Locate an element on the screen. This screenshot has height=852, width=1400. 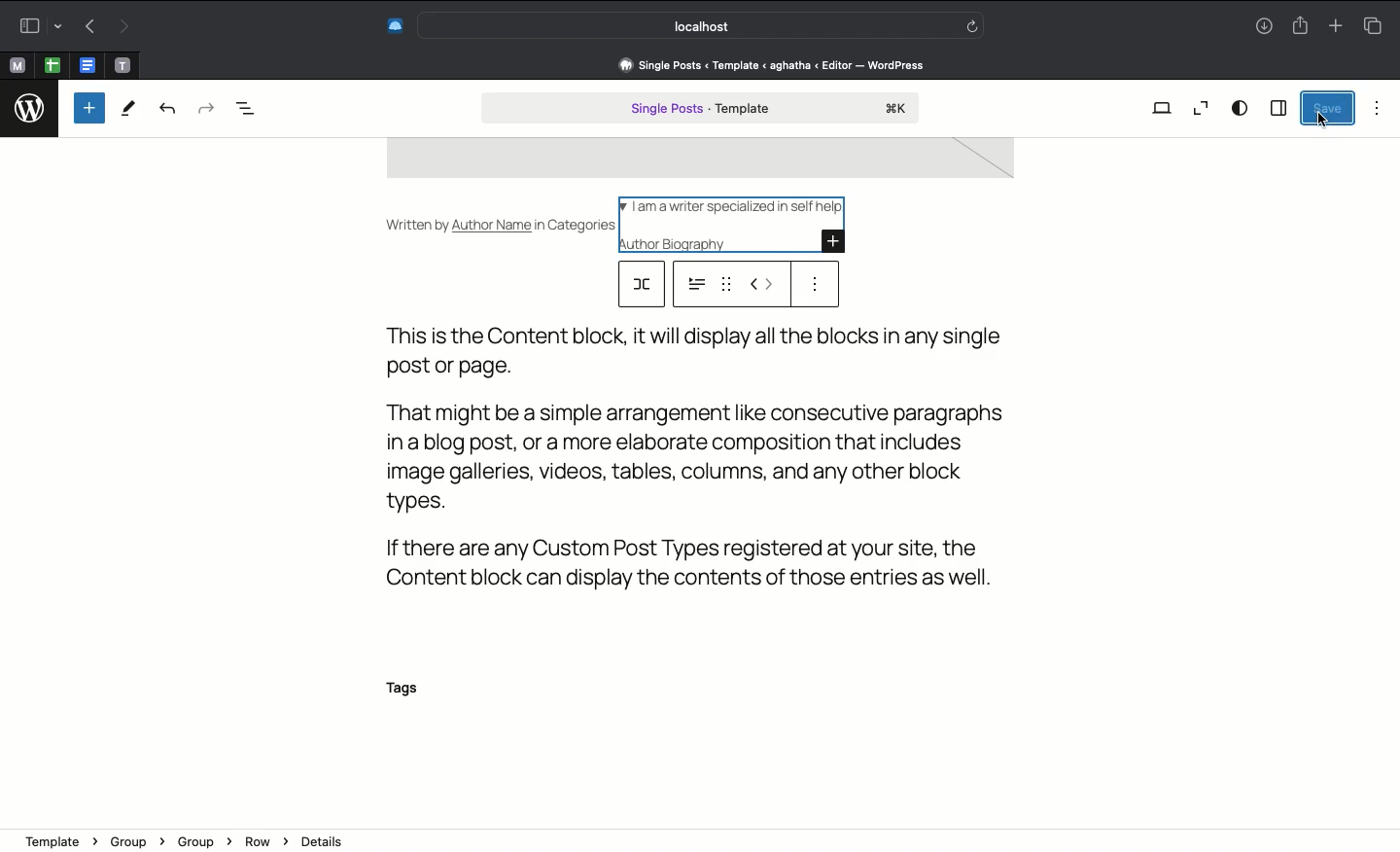
cursor is located at coordinates (1329, 124).